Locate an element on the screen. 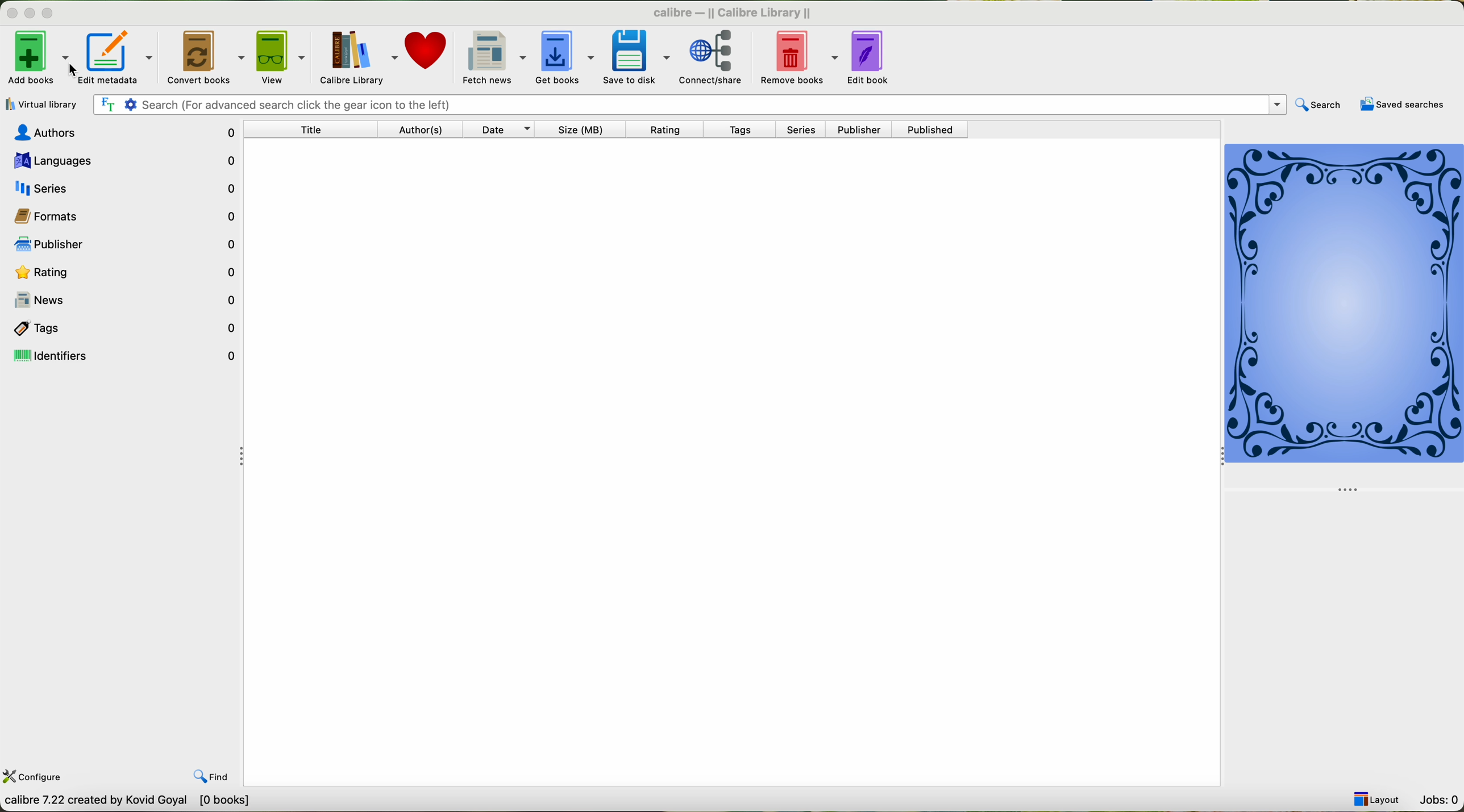 Image resolution: width=1464 pixels, height=812 pixels. edit book is located at coordinates (871, 59).